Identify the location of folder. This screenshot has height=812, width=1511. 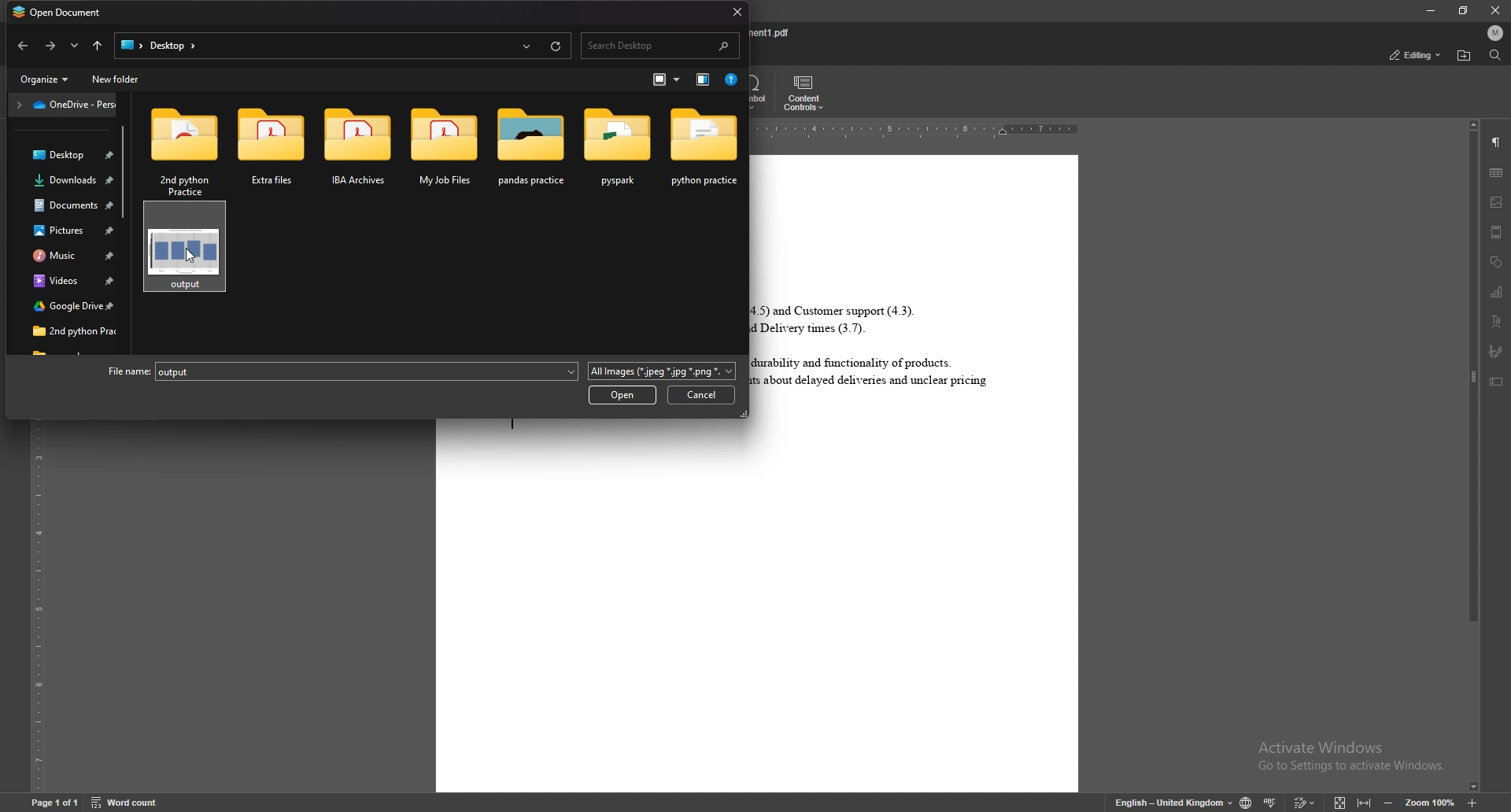
(63, 209).